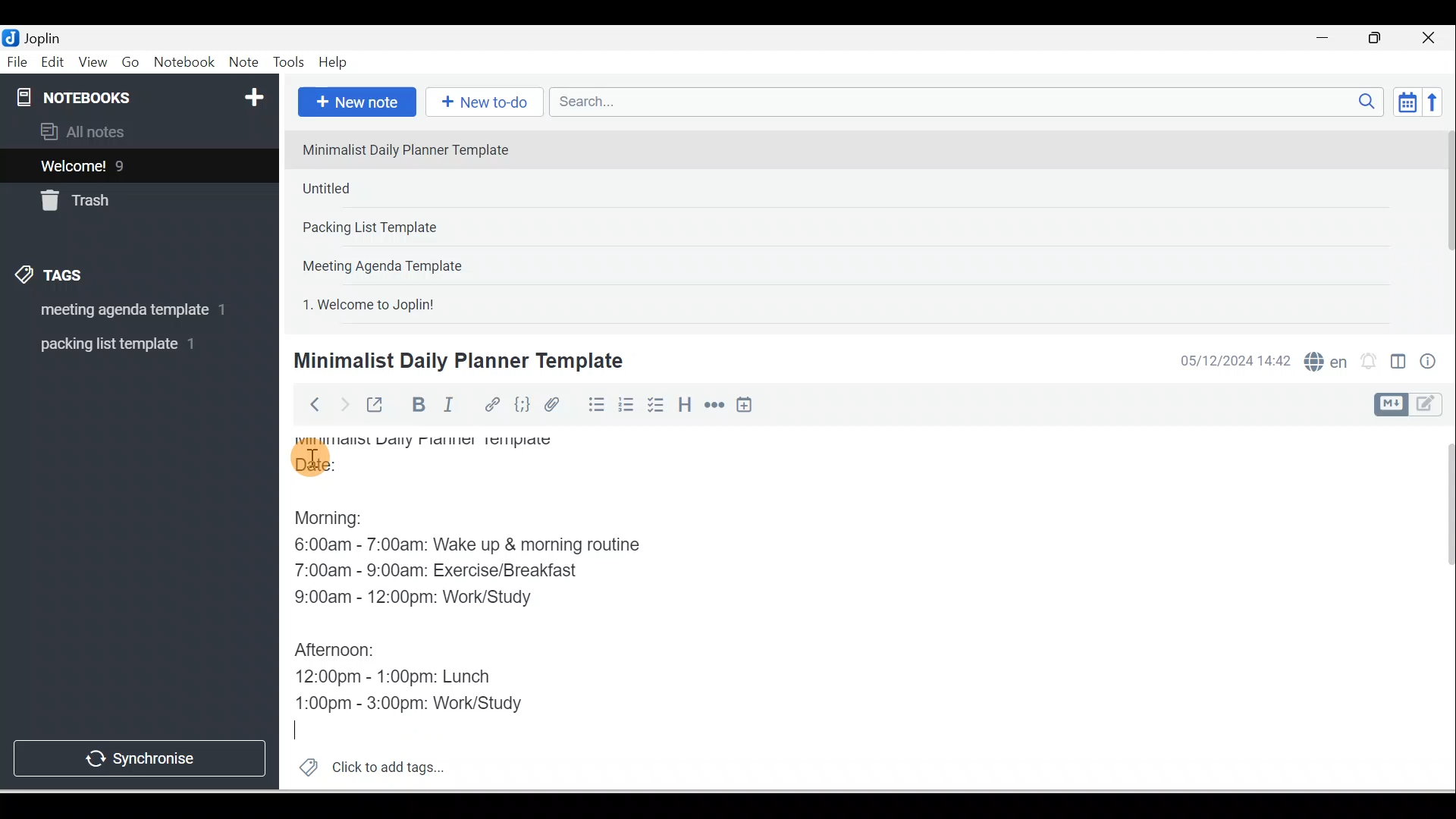  I want to click on Minimalist Daily Planner Template, so click(456, 361).